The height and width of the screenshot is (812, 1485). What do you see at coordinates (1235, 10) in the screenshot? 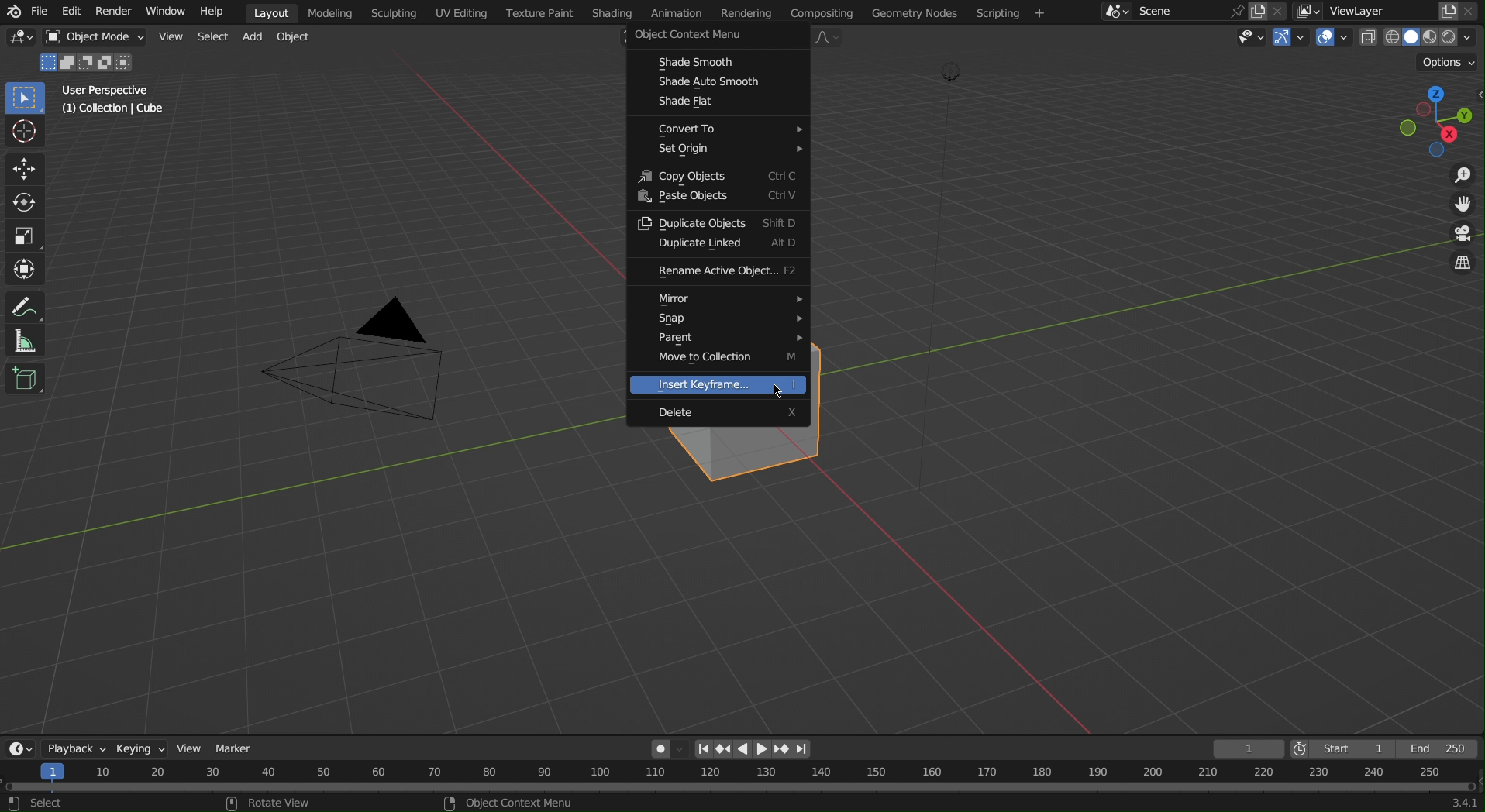
I see `pin` at bounding box center [1235, 10].